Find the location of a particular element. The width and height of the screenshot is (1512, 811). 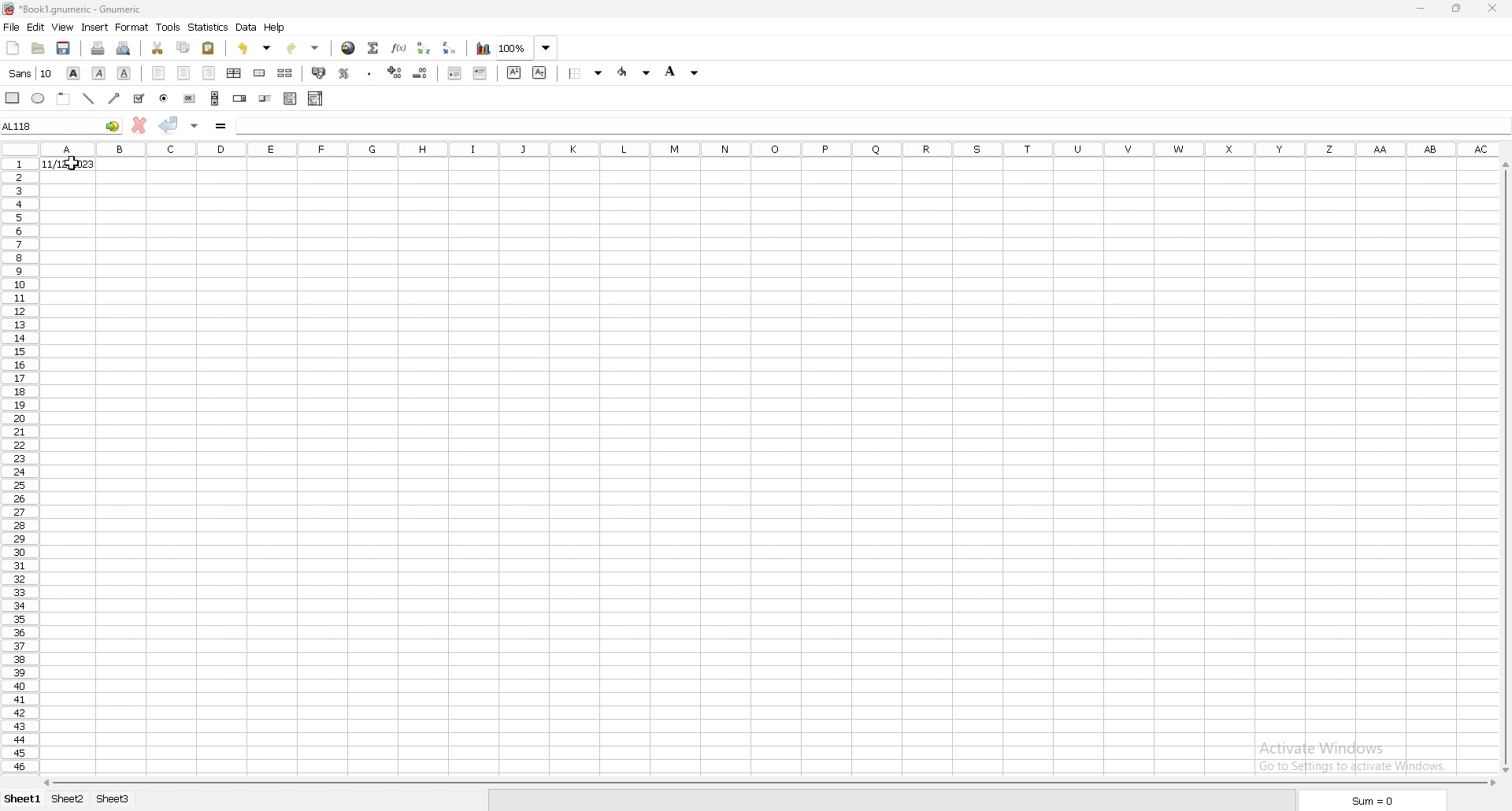

undo is located at coordinates (255, 48).